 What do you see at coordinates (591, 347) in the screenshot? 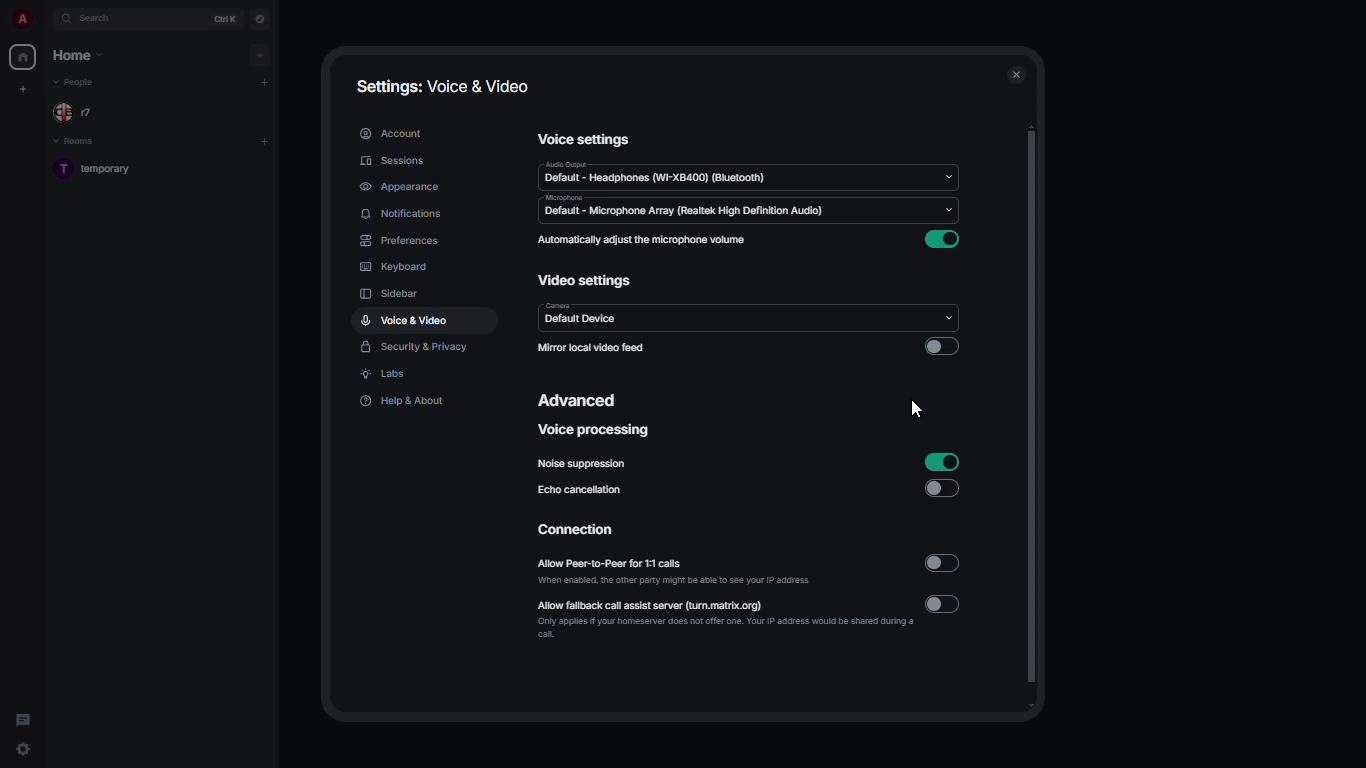
I see `mirror local video feed` at bounding box center [591, 347].